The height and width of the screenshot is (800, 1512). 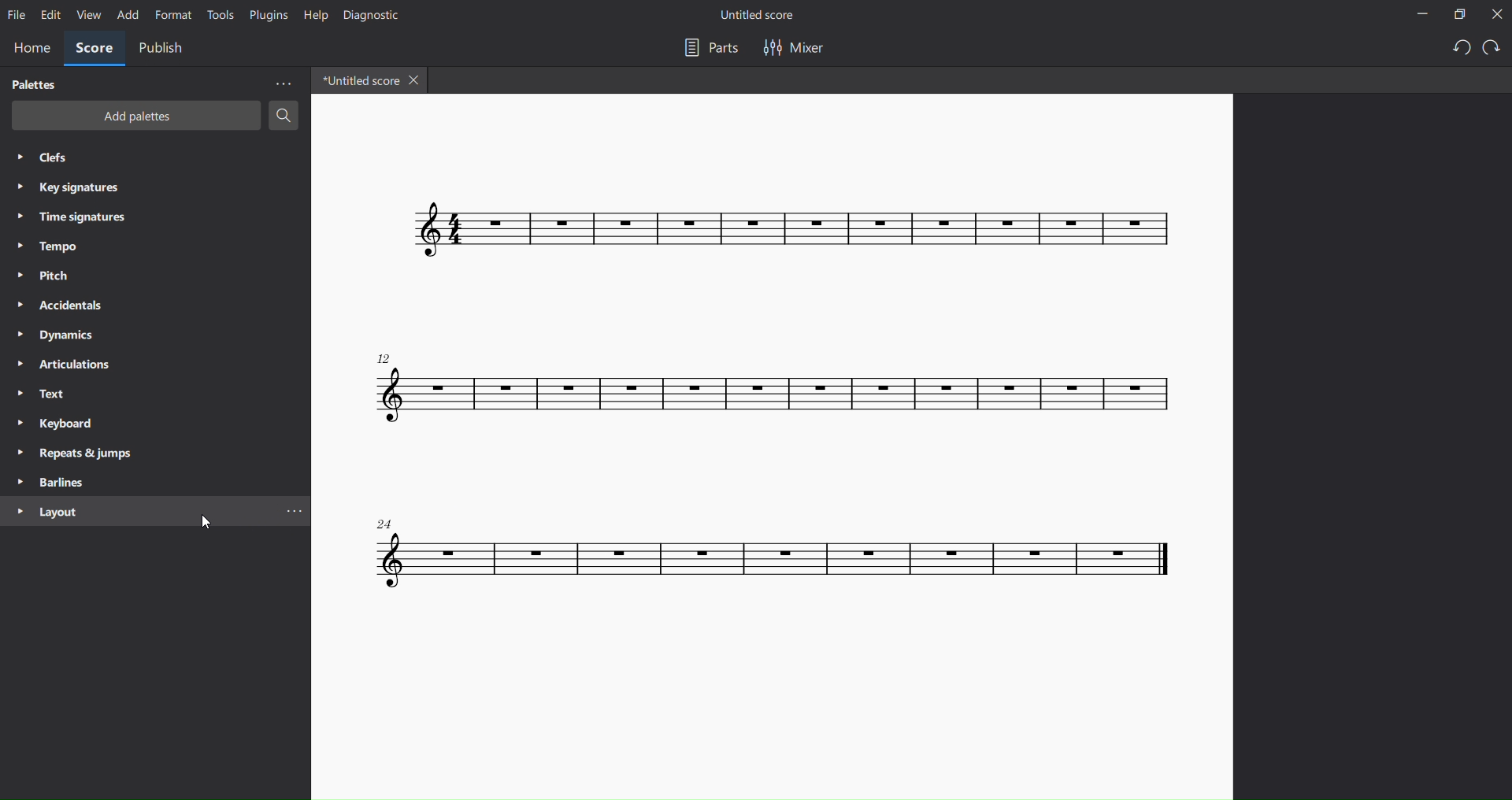 I want to click on redo, so click(x=1495, y=47).